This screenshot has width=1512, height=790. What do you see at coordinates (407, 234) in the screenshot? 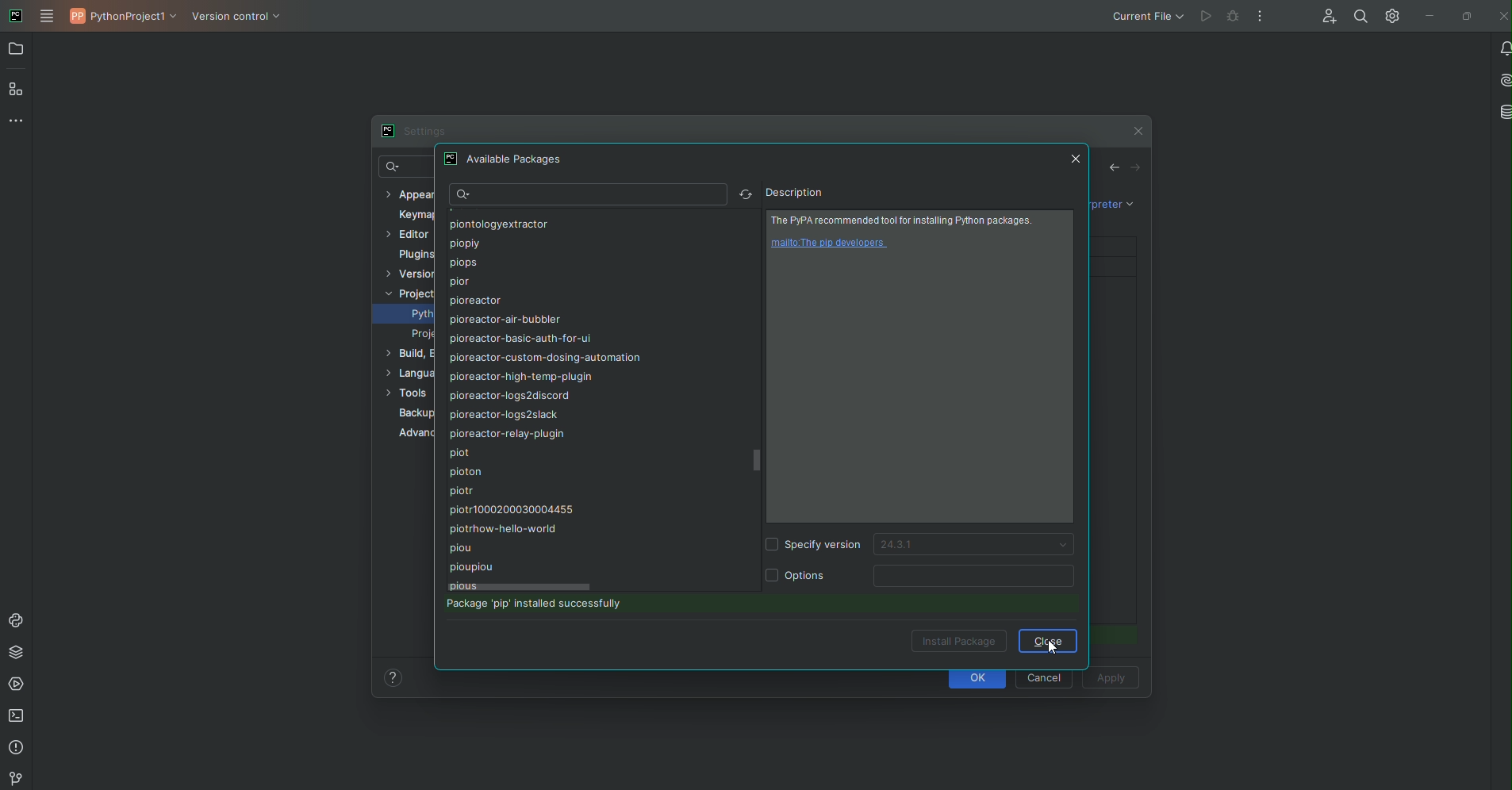
I see `Editor` at bounding box center [407, 234].